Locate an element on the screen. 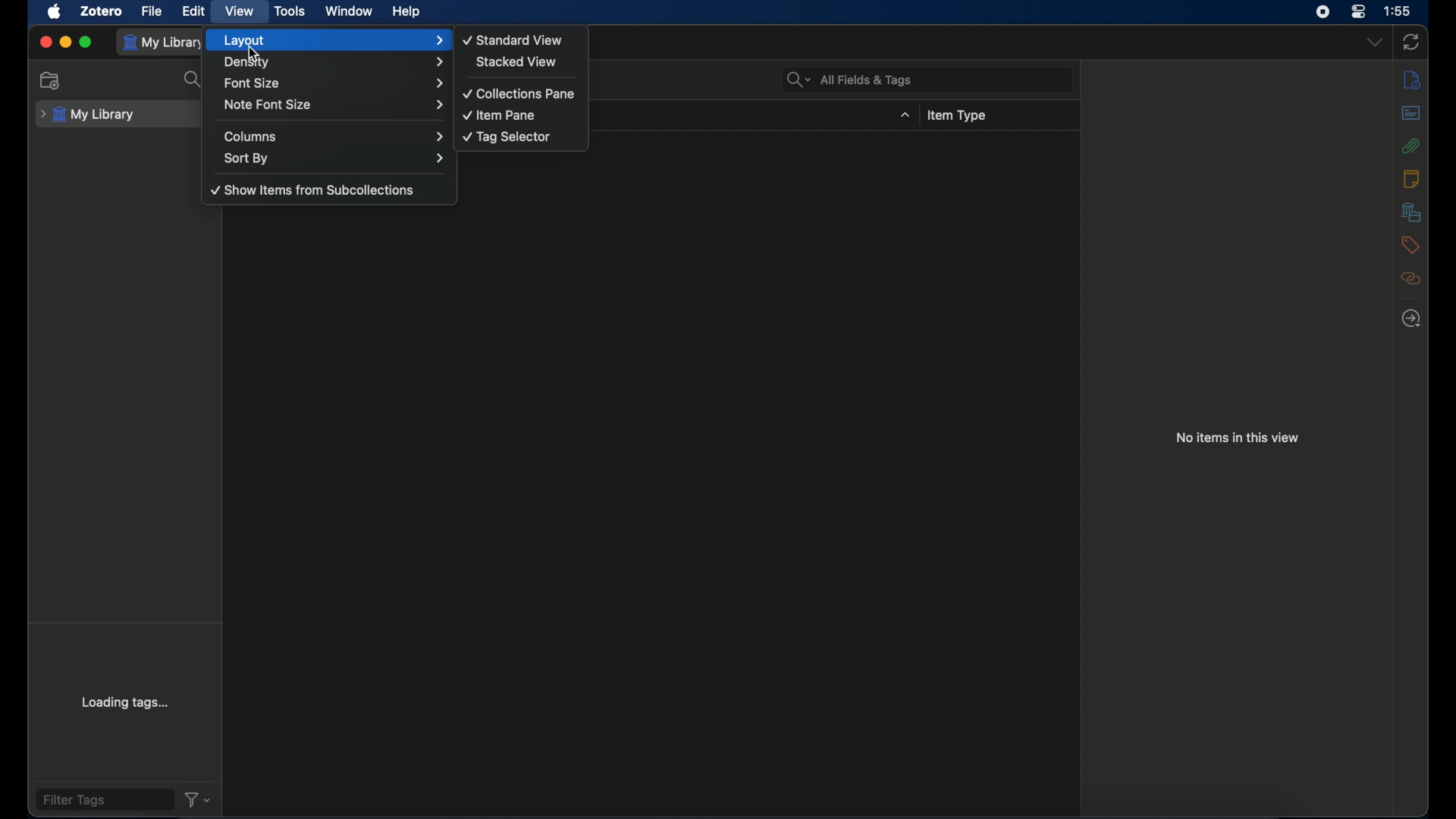  no items in this view is located at coordinates (1237, 438).